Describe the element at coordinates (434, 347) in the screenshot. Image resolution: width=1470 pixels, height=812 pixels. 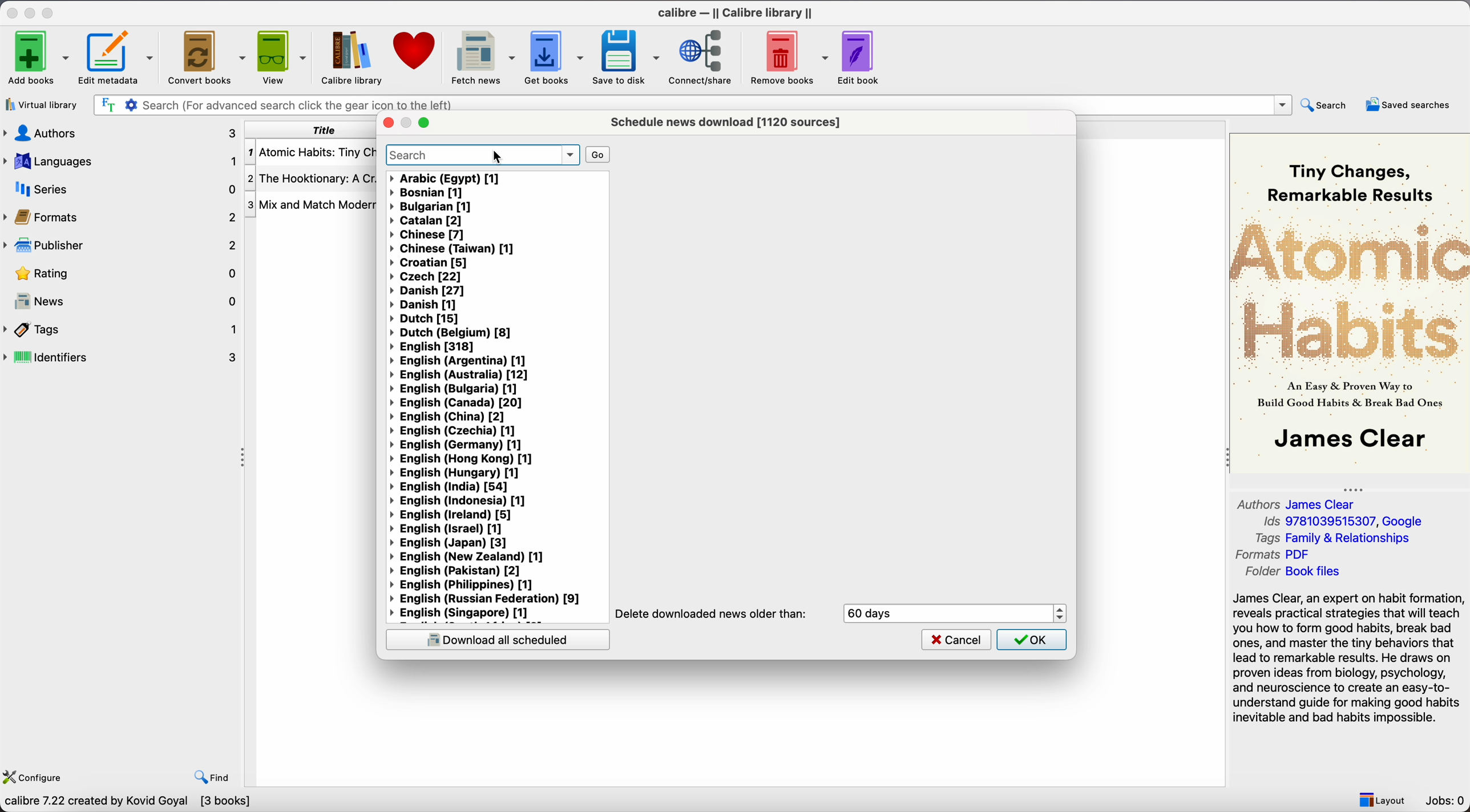
I see `English [318]` at that location.